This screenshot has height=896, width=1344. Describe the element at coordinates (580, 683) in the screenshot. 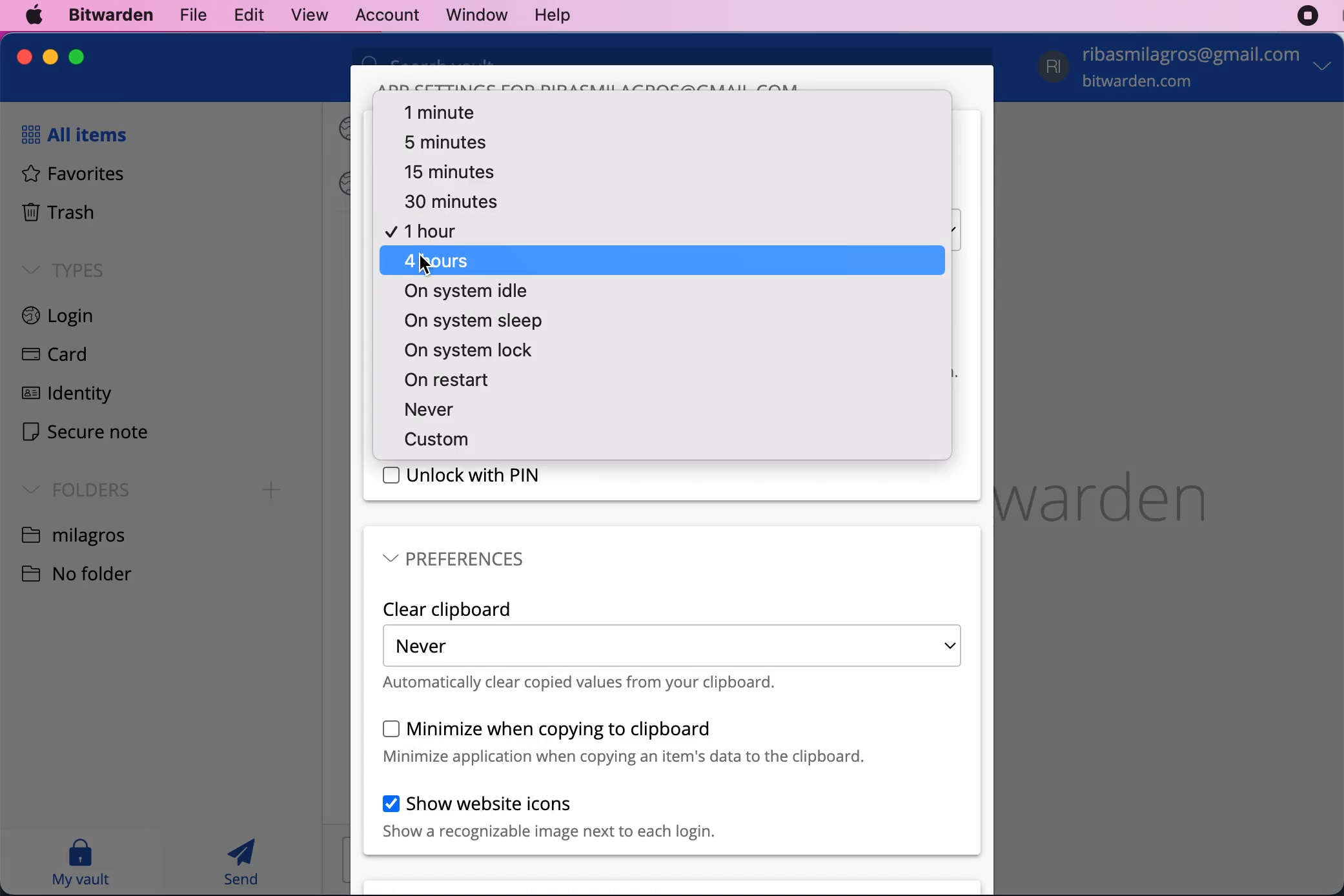

I see `automatically clear copied values from your clipboard` at that location.